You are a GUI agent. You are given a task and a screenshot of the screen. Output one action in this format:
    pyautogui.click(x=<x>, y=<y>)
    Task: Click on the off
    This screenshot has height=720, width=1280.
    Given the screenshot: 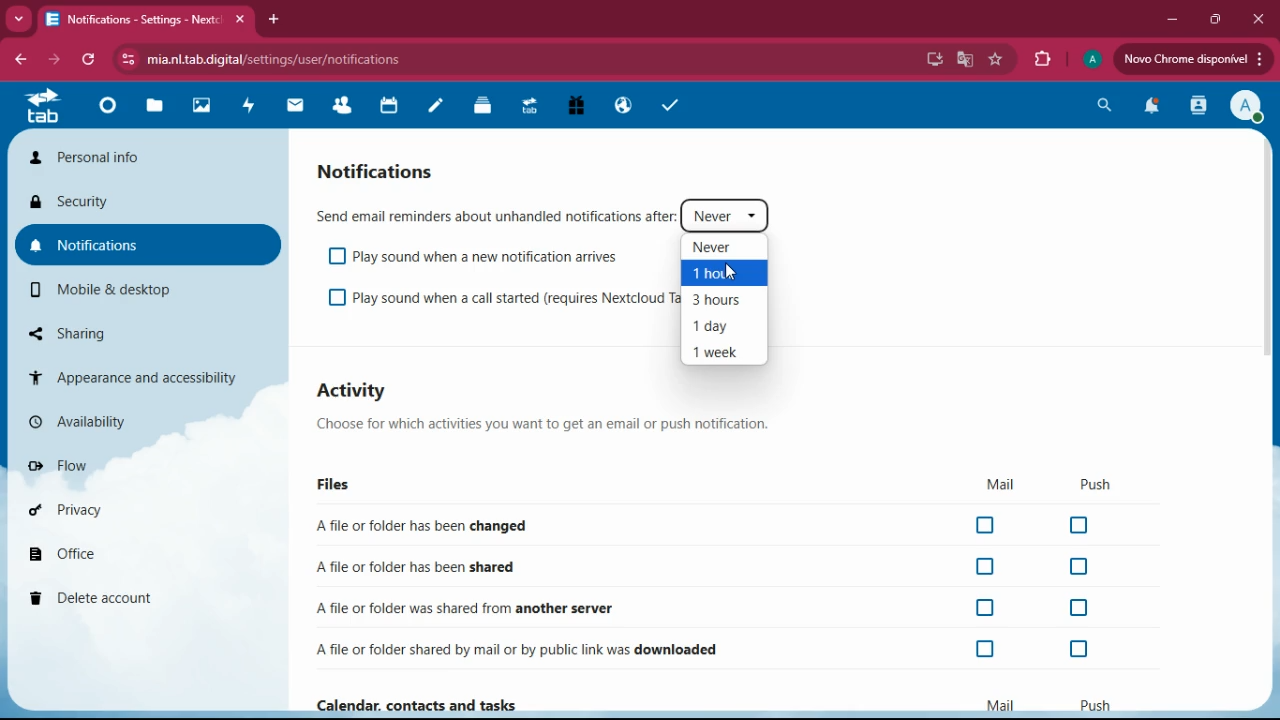 What is the action you would take?
    pyautogui.click(x=334, y=256)
    